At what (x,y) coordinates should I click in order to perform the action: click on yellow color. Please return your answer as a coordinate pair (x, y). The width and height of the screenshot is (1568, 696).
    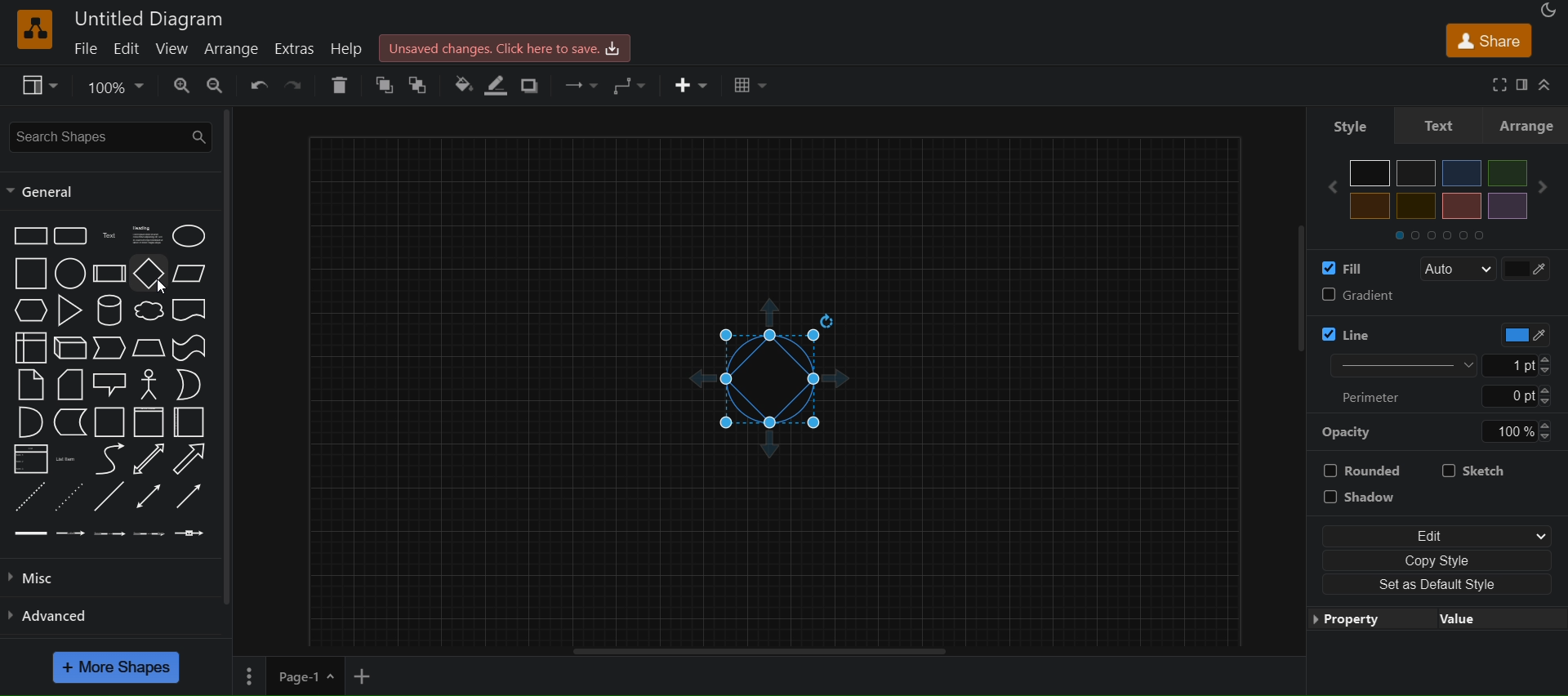
    Looking at the image, I should click on (1370, 206).